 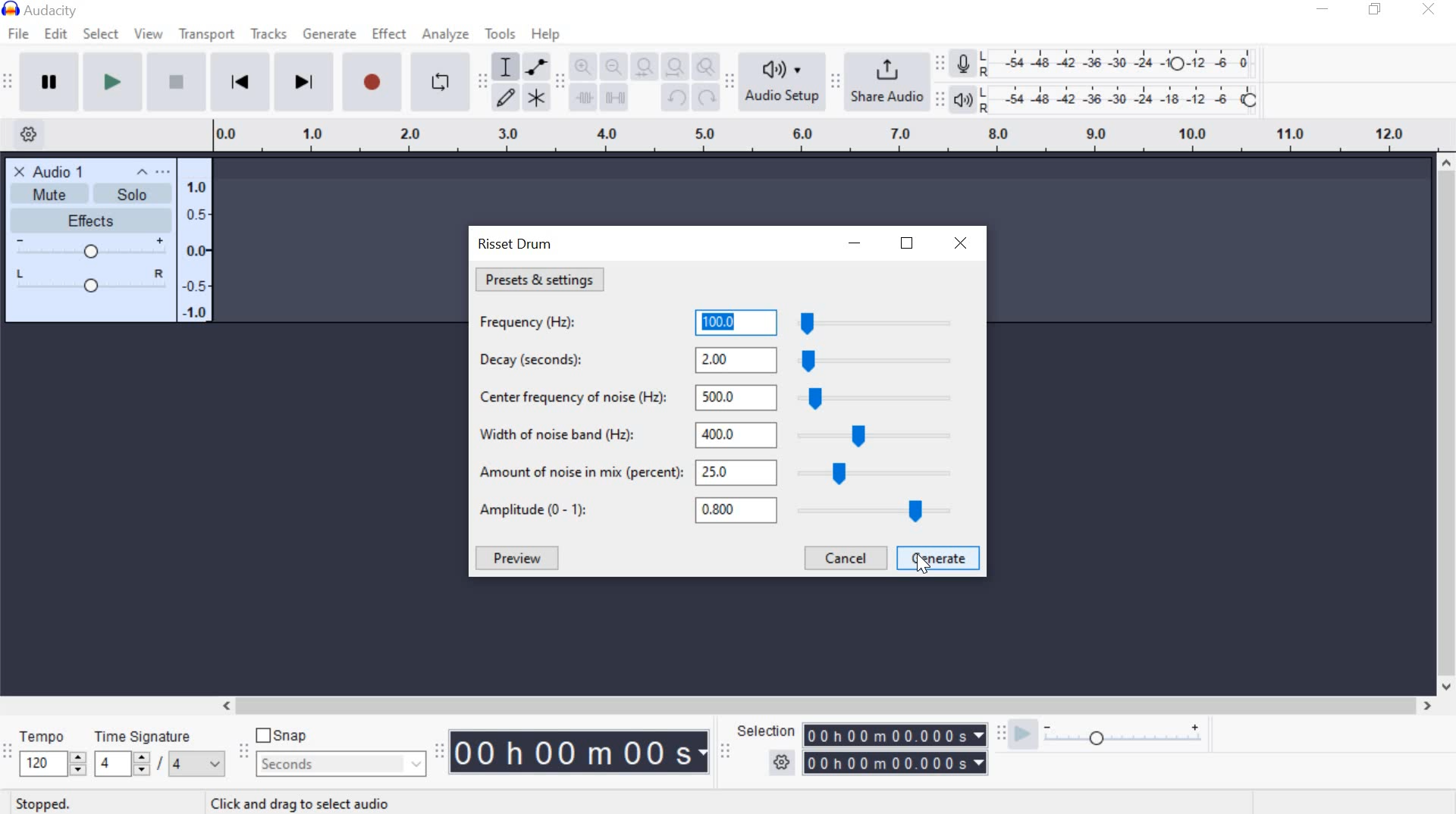 What do you see at coordinates (131, 196) in the screenshot?
I see `sole` at bounding box center [131, 196].